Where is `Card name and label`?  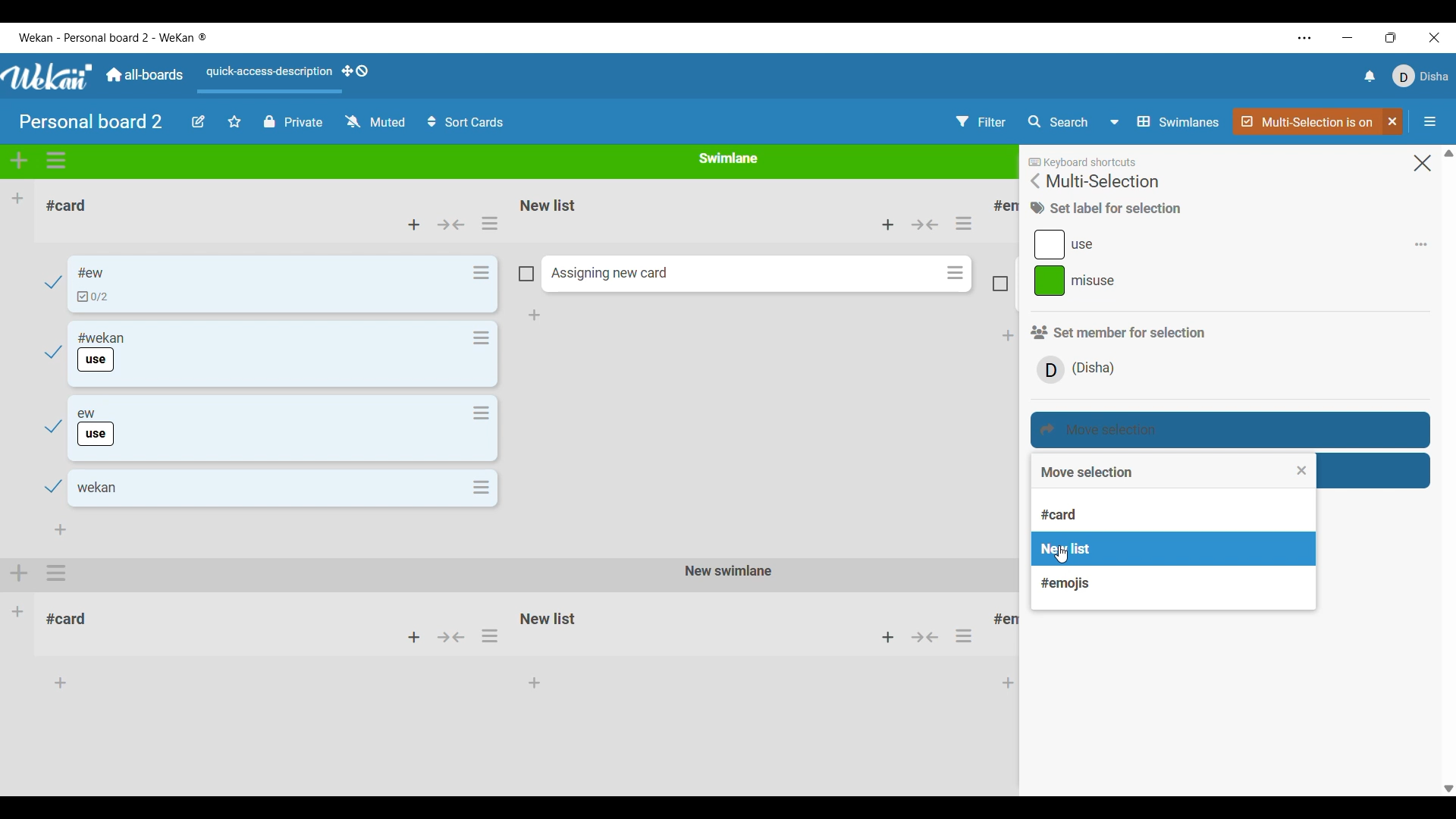 Card name and label is located at coordinates (103, 427).